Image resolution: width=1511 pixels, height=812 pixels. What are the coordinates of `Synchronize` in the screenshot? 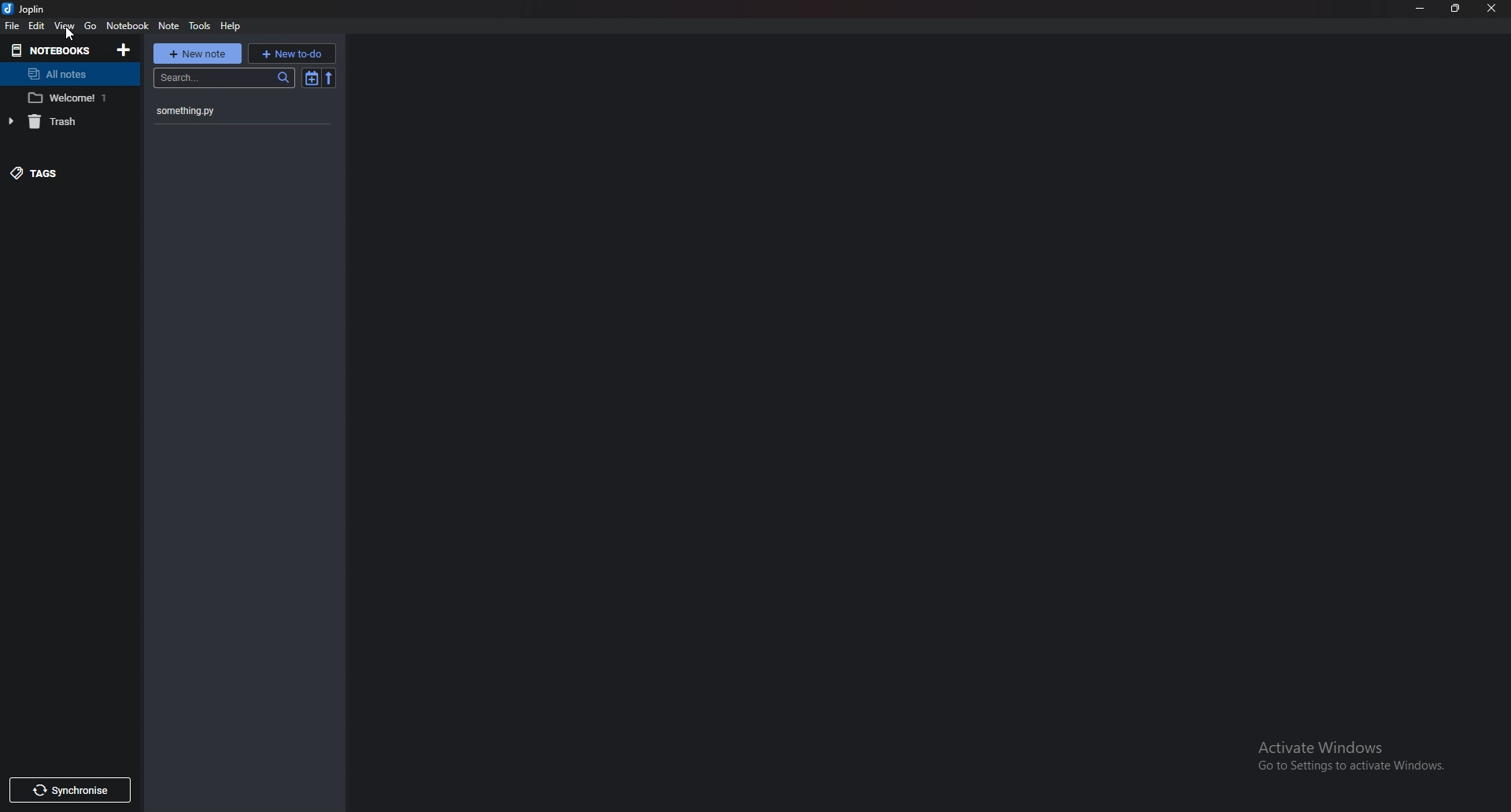 It's located at (65, 789).